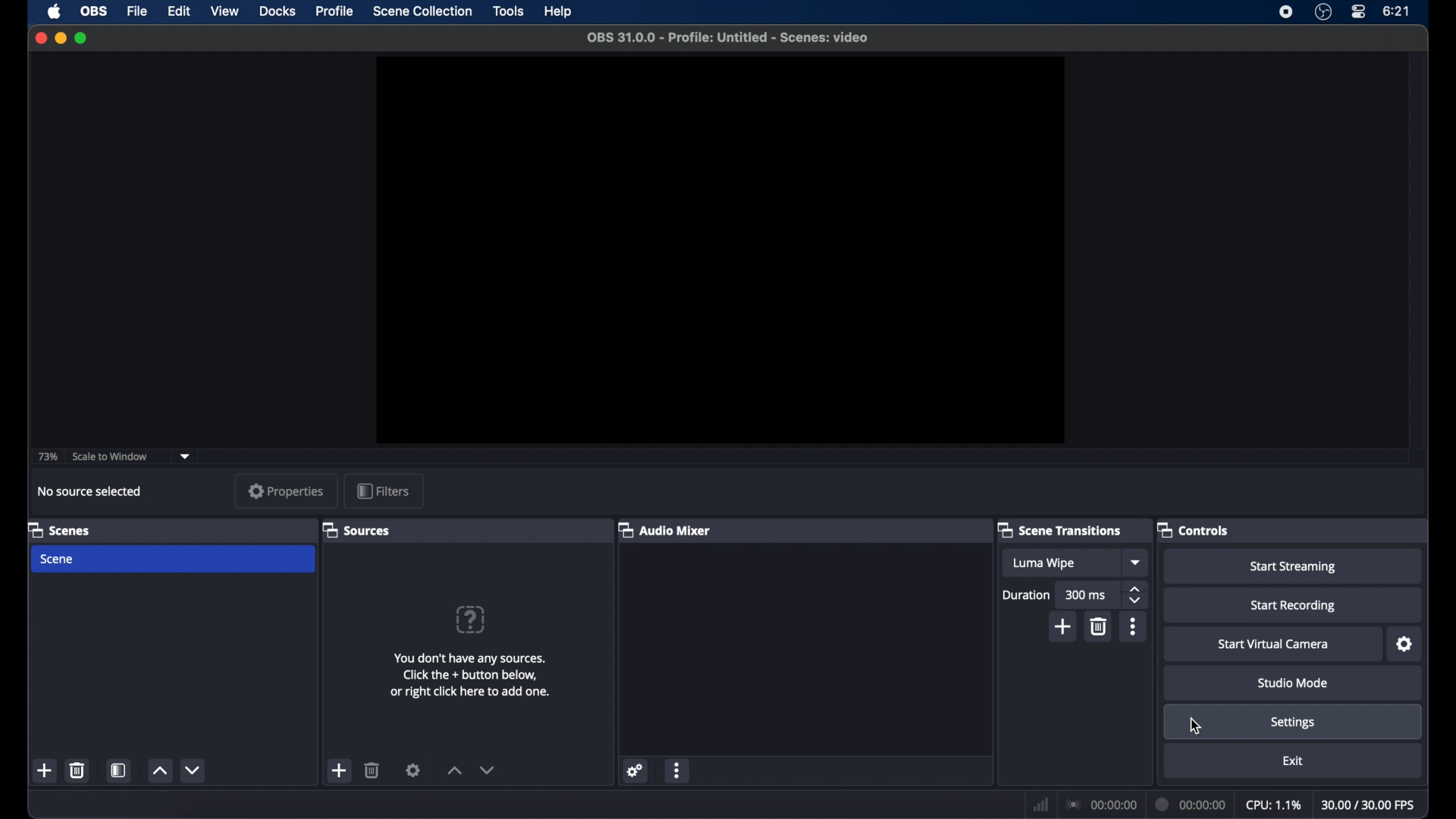 This screenshot has width=1456, height=819. I want to click on 73%, so click(47, 457).